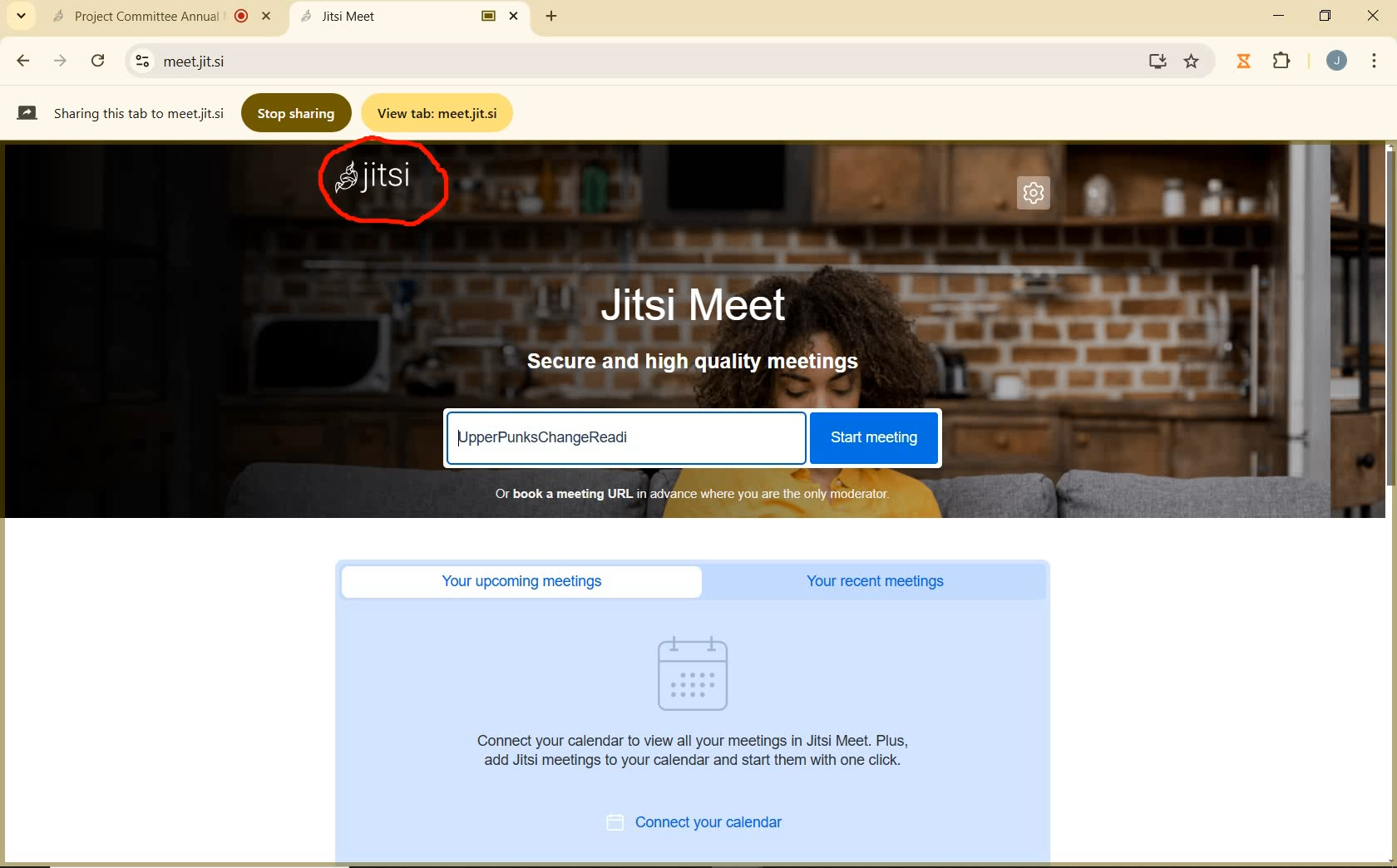  I want to click on SHARING THIS TAB TO MEET.JIT.SI, so click(120, 112).